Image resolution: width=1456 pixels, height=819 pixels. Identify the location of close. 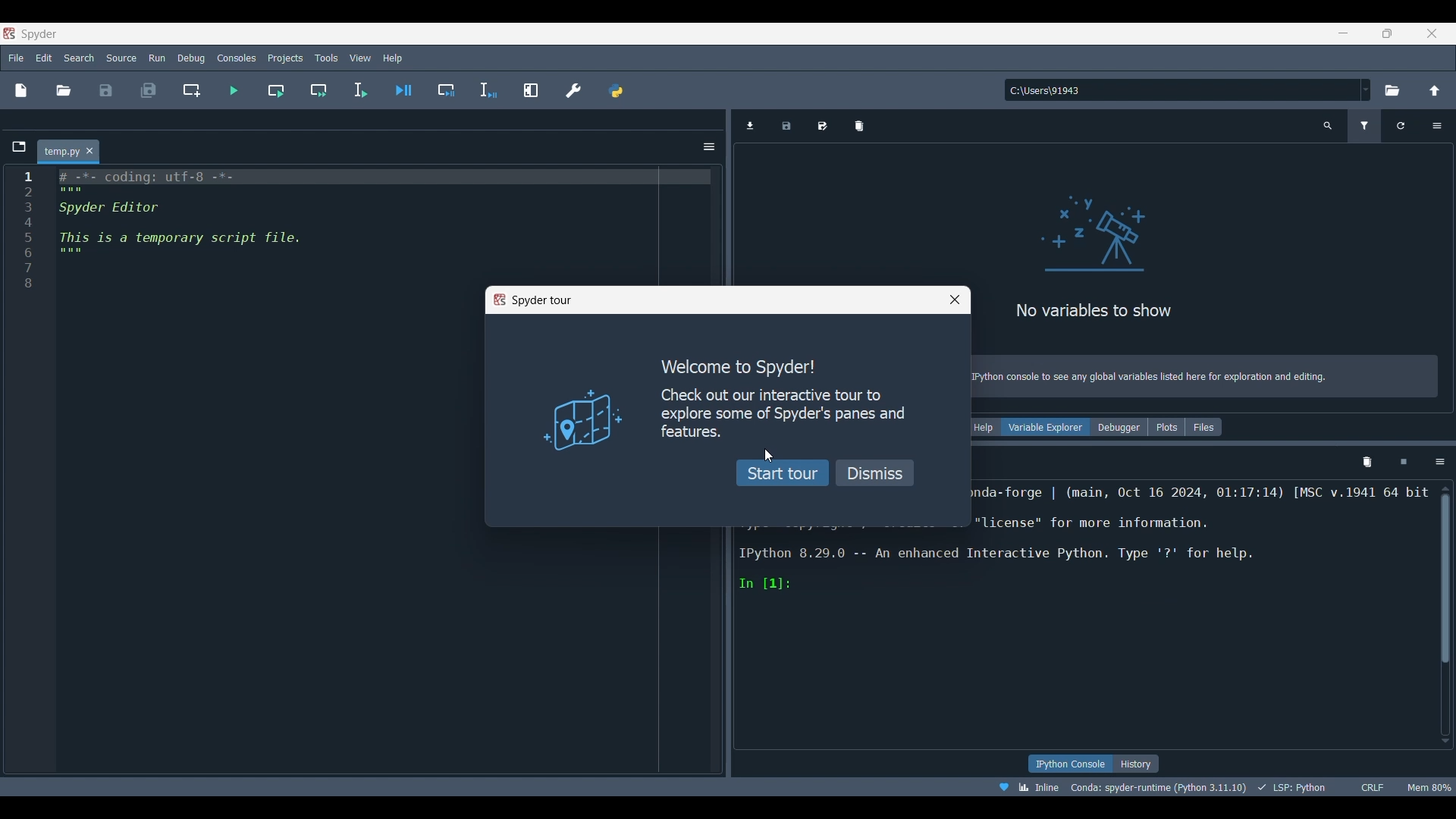
(946, 303).